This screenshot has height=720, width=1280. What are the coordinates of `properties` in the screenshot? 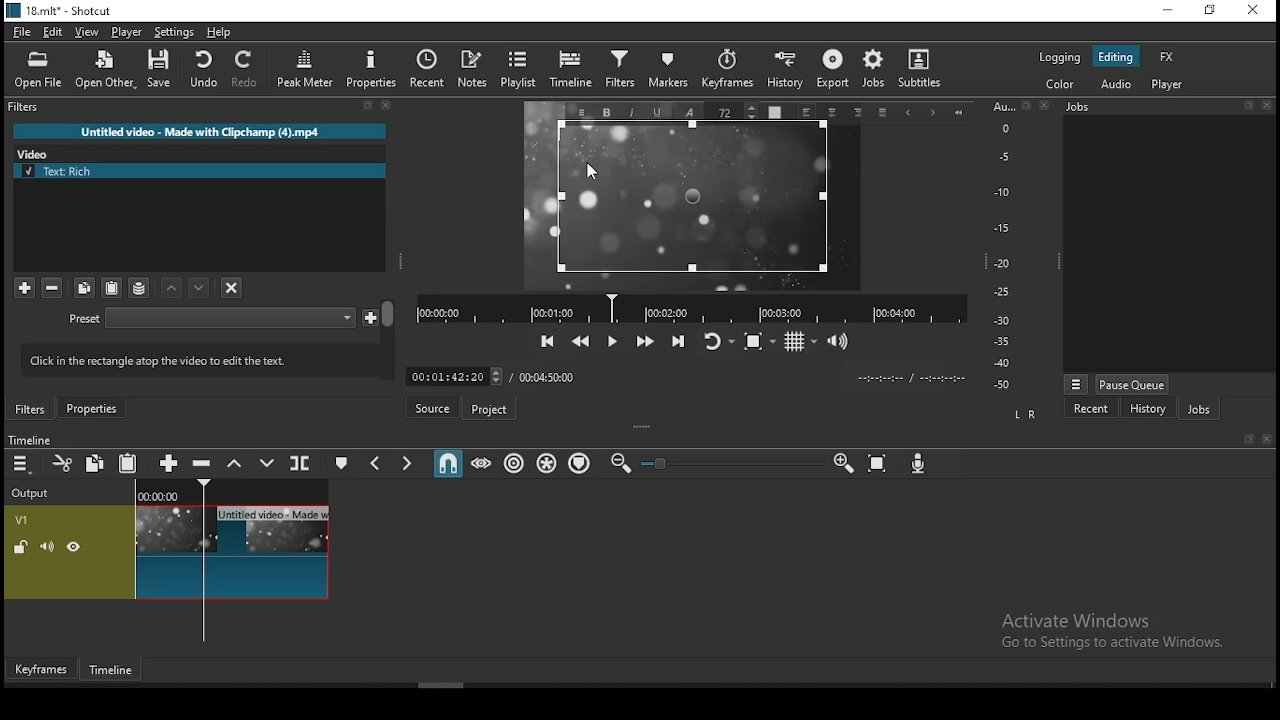 It's located at (369, 69).